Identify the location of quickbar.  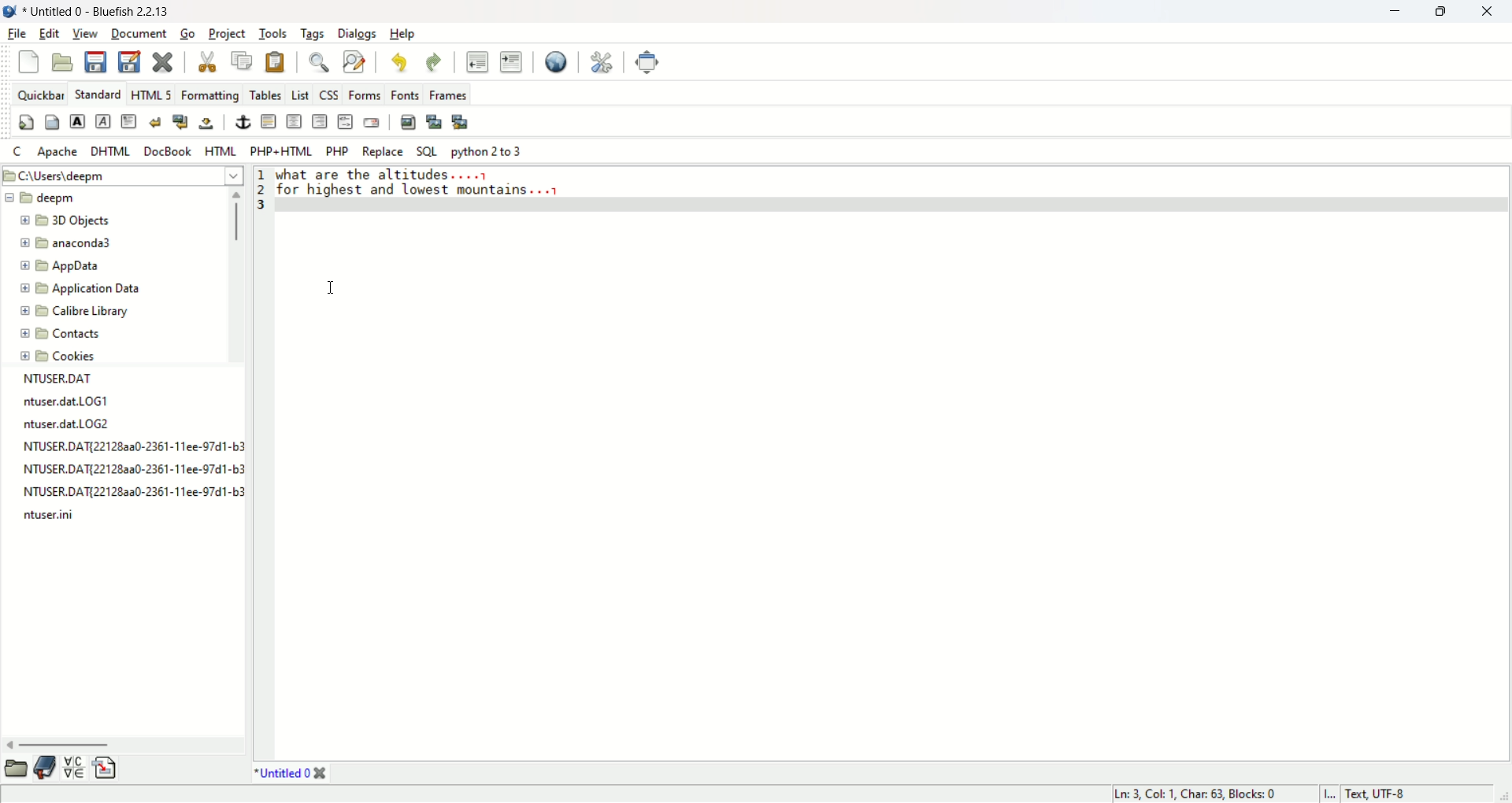
(40, 92).